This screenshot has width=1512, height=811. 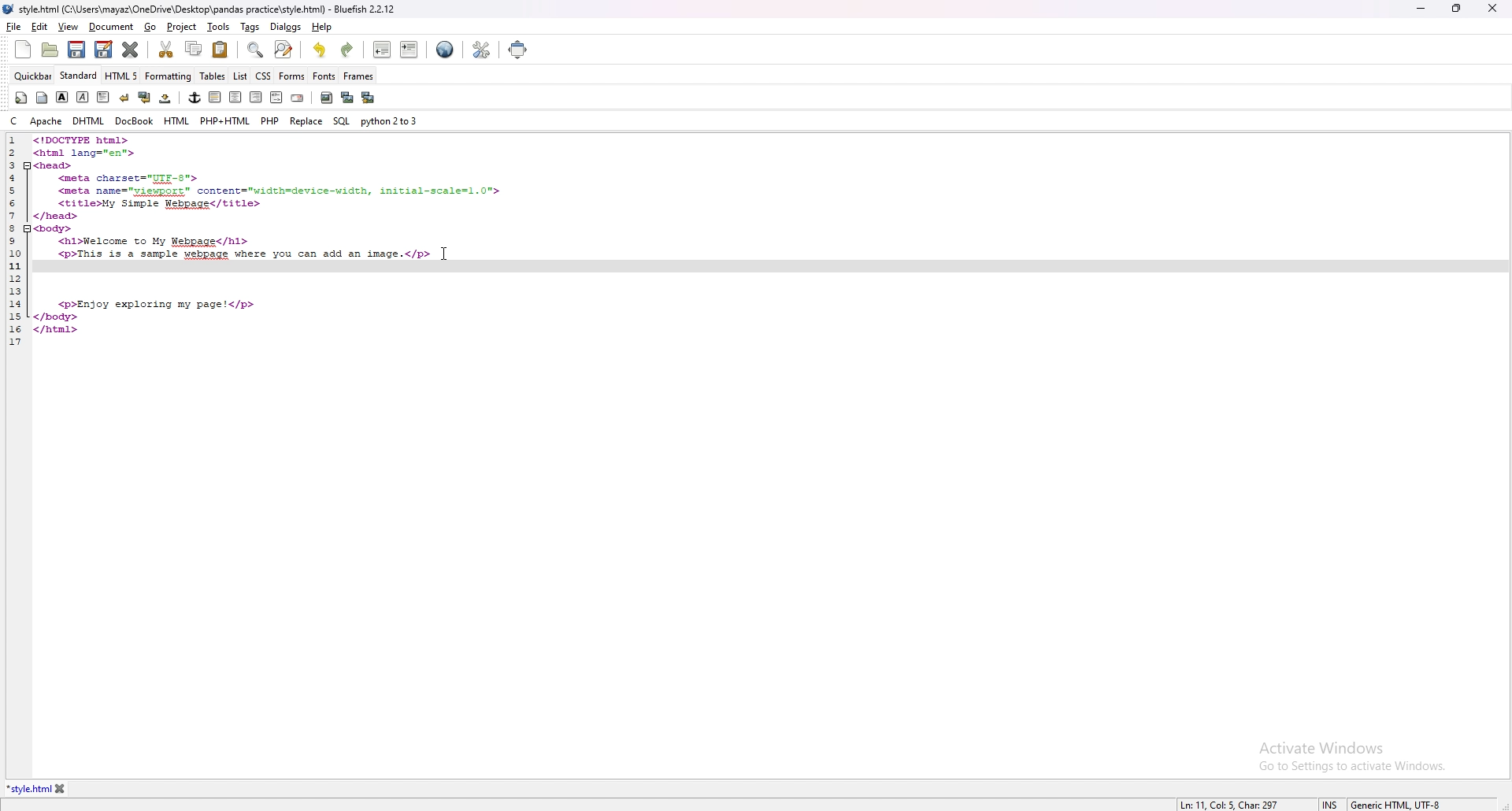 What do you see at coordinates (1456, 9) in the screenshot?
I see `resize` at bounding box center [1456, 9].